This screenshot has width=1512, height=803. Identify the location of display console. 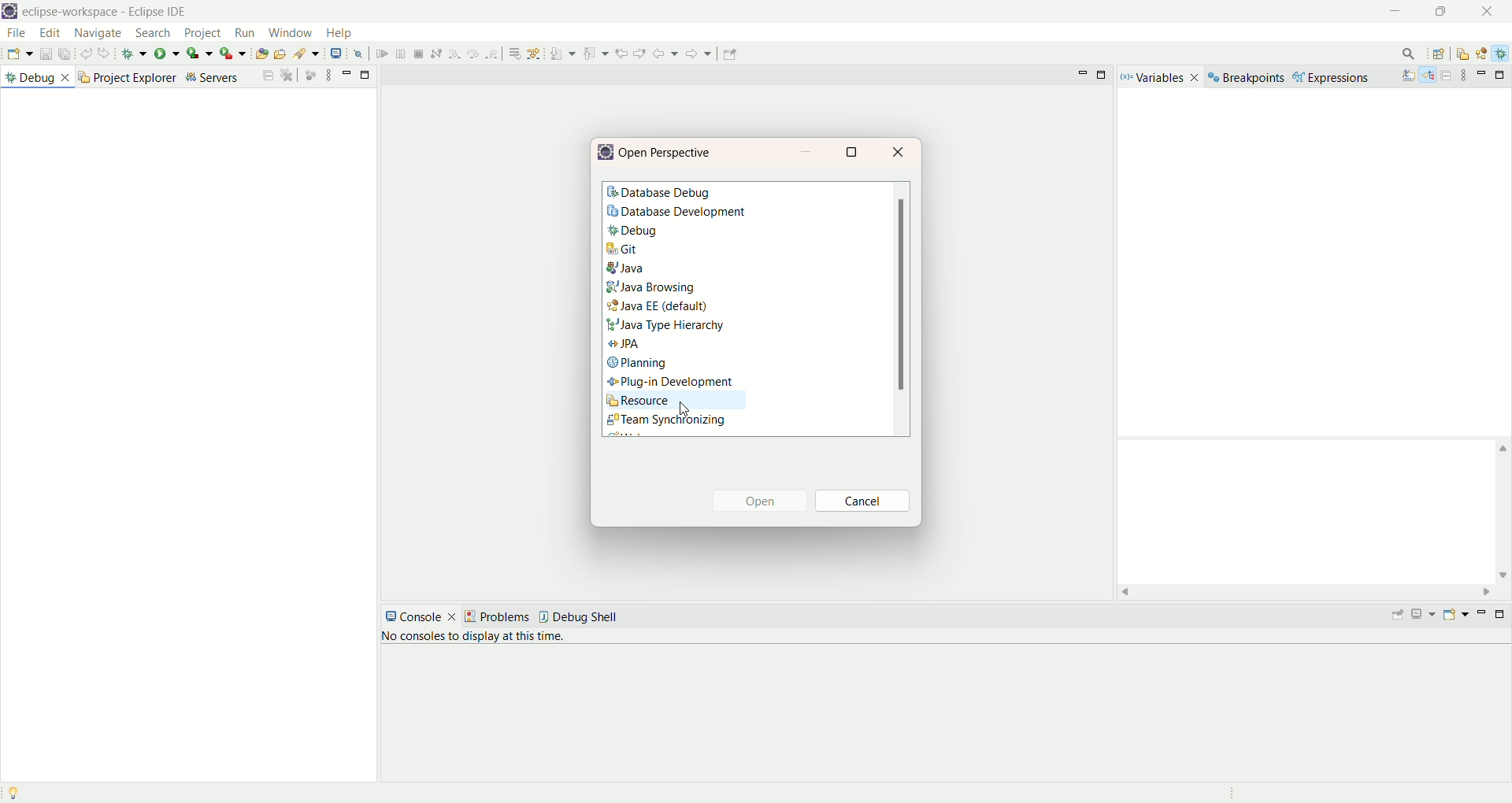
(1425, 612).